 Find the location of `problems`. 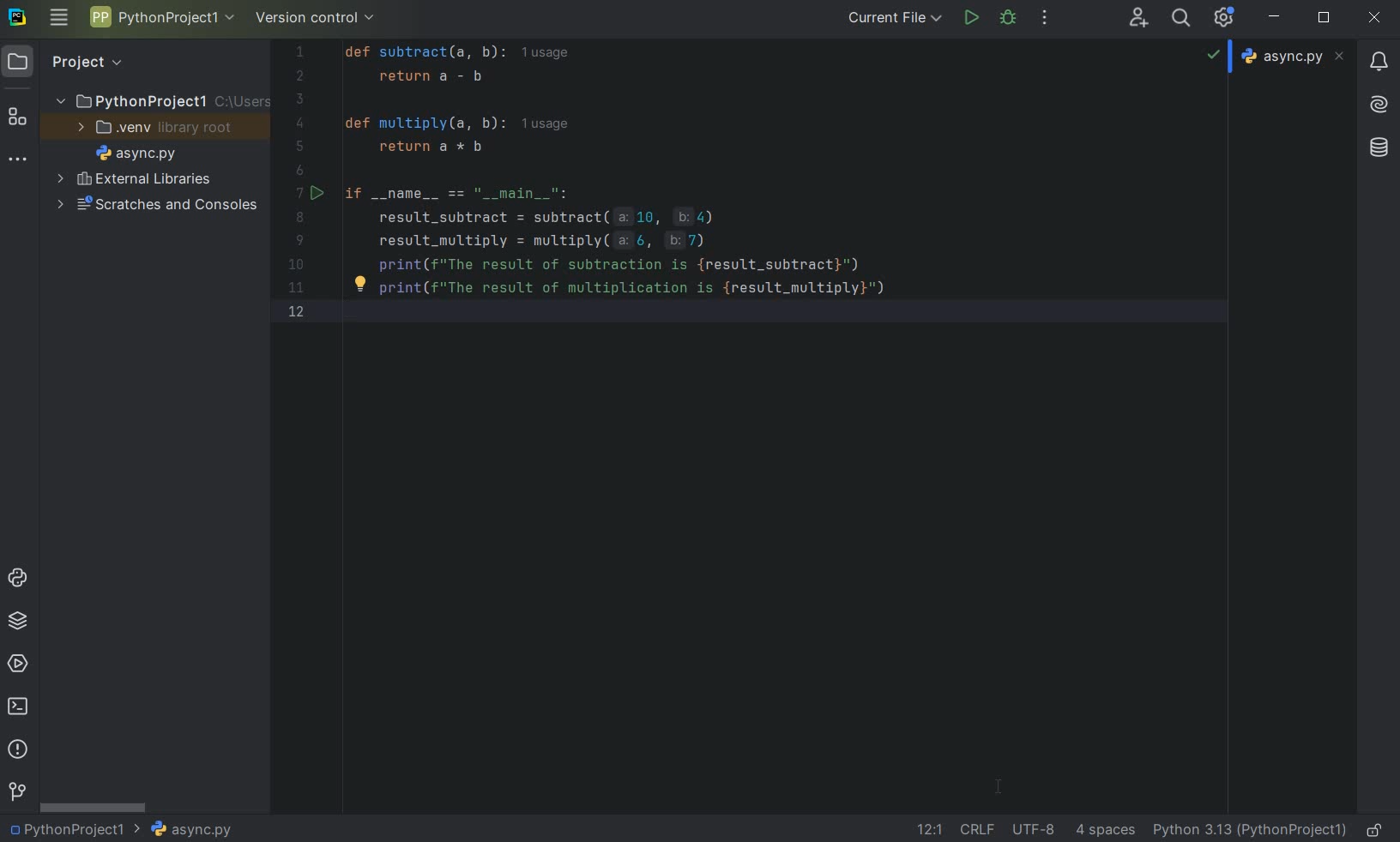

problems is located at coordinates (17, 748).